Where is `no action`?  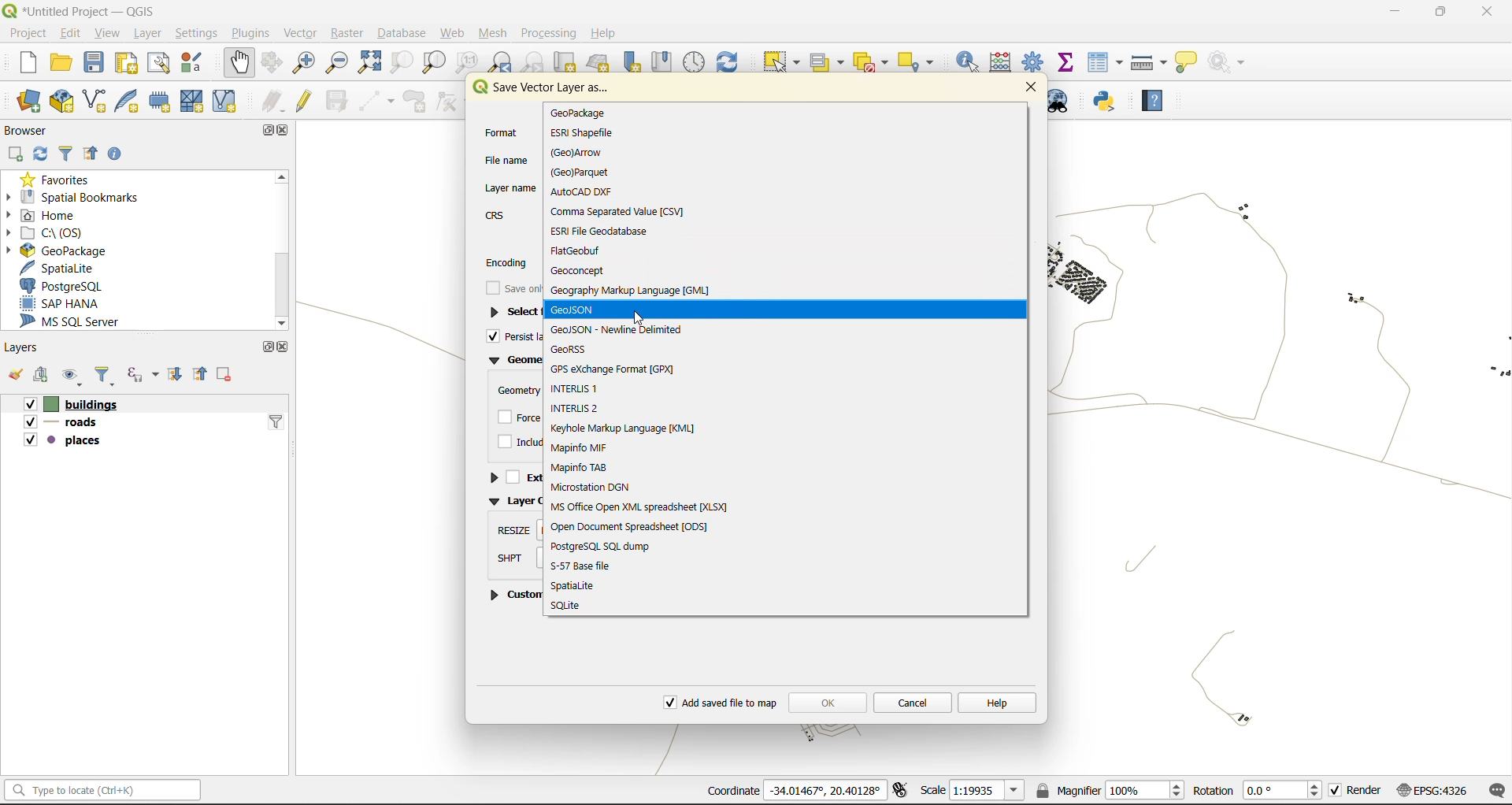 no action is located at coordinates (1232, 62).